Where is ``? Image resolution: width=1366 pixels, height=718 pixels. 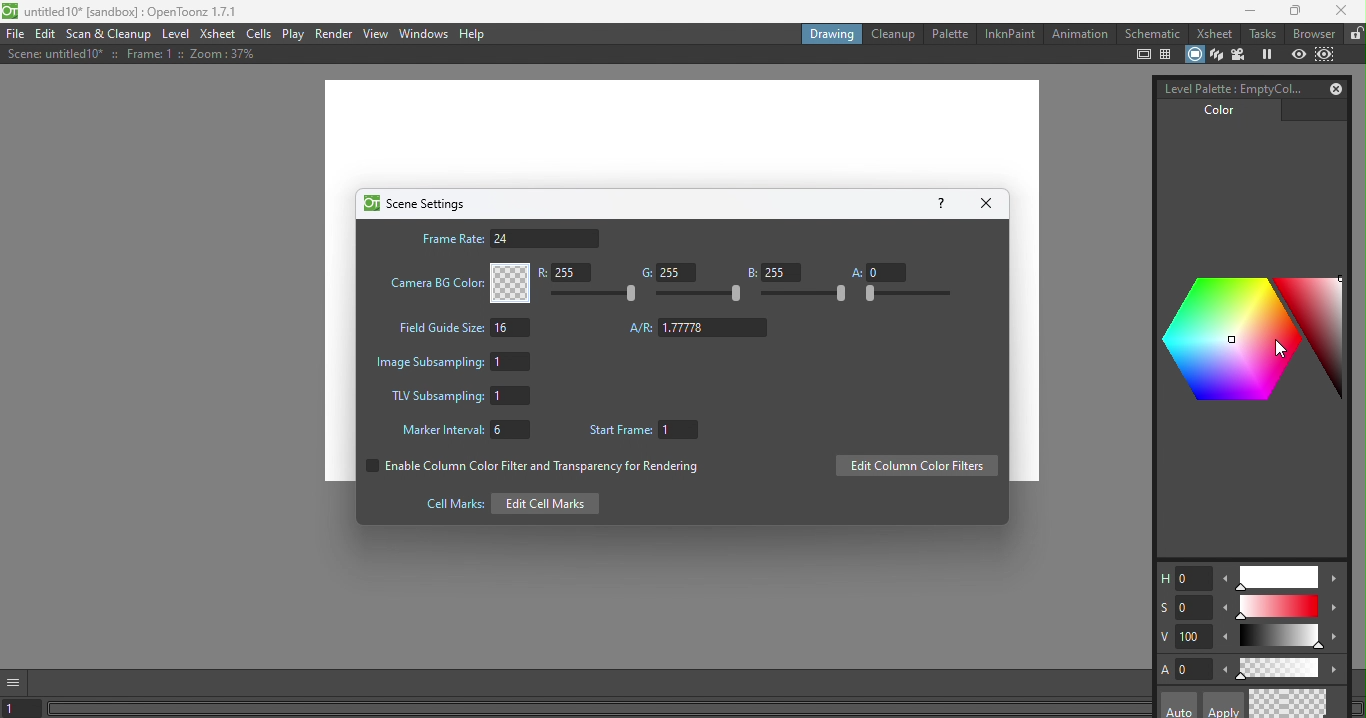
 is located at coordinates (1335, 612).